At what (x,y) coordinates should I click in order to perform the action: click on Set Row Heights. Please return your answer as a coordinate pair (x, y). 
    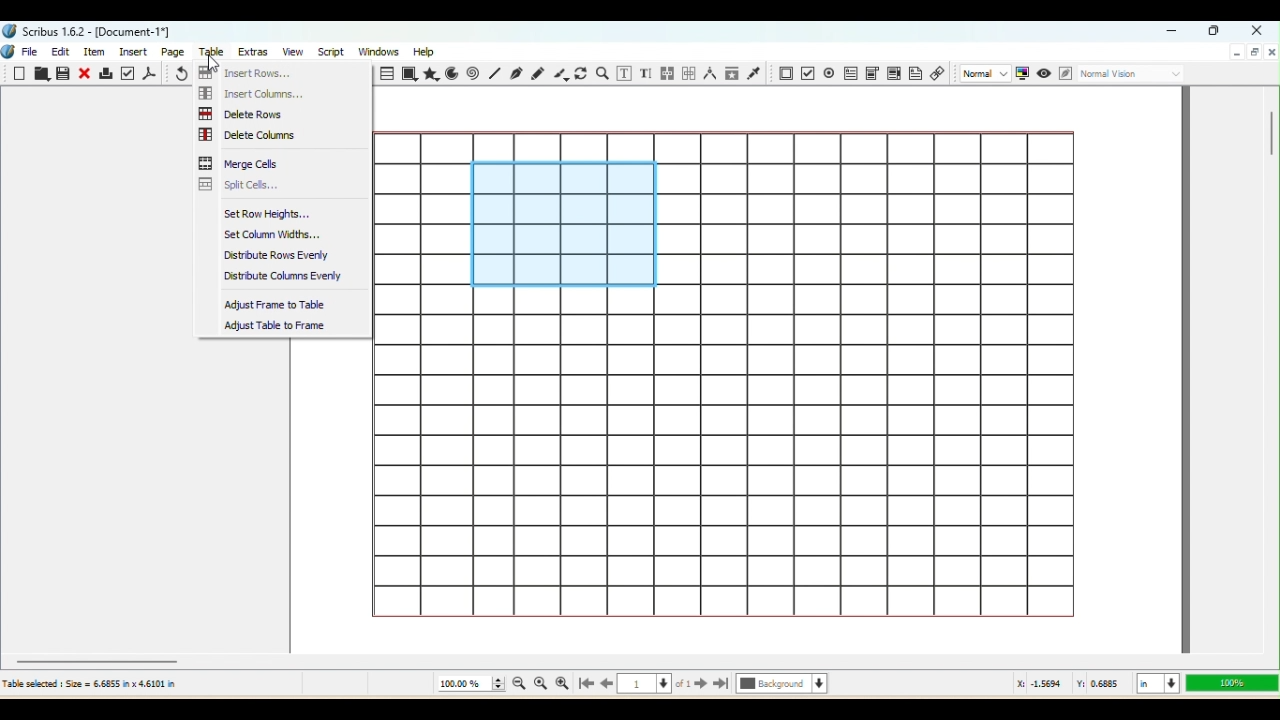
    Looking at the image, I should click on (279, 215).